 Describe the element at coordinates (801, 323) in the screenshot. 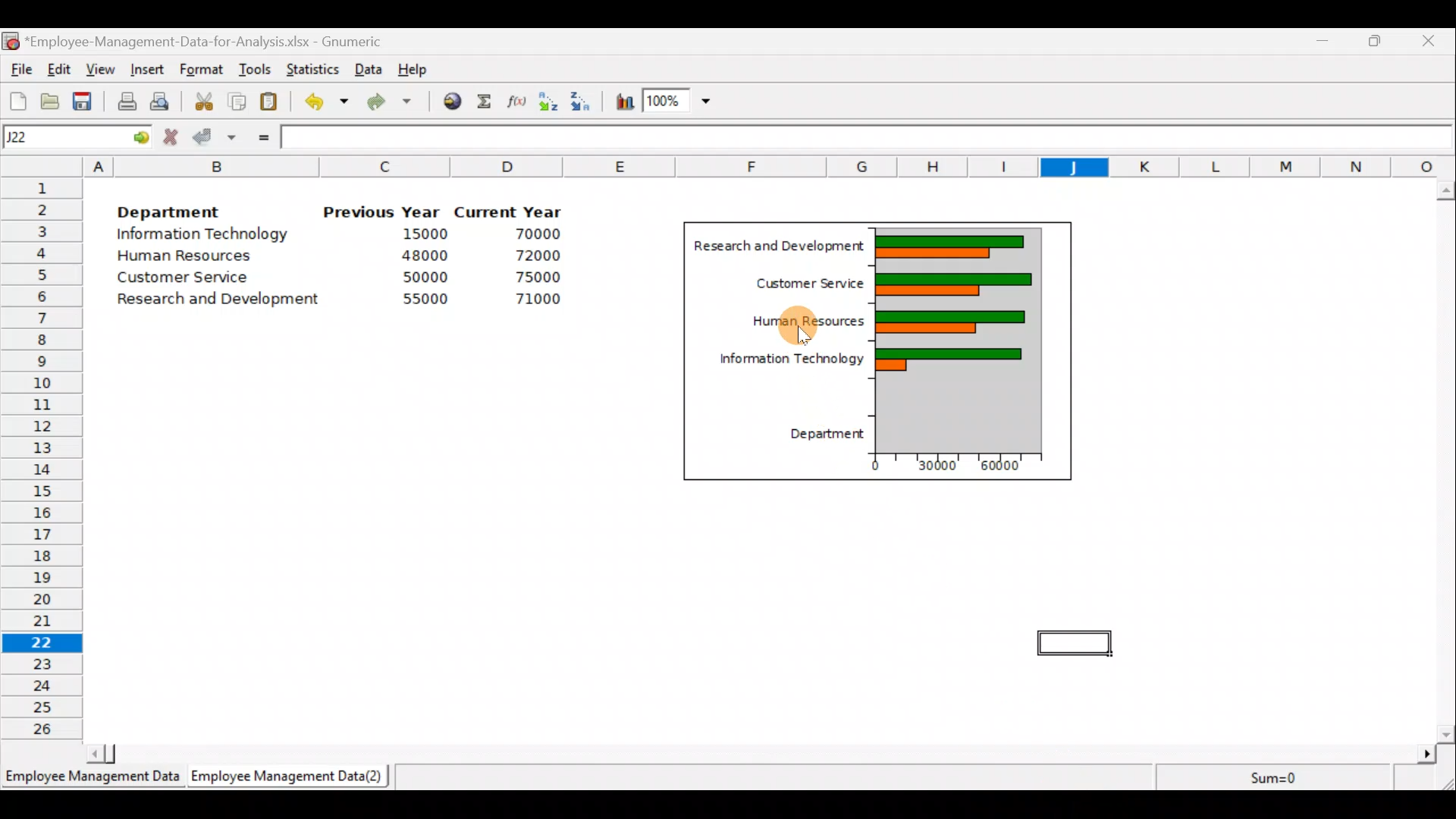

I see `Cursor` at that location.